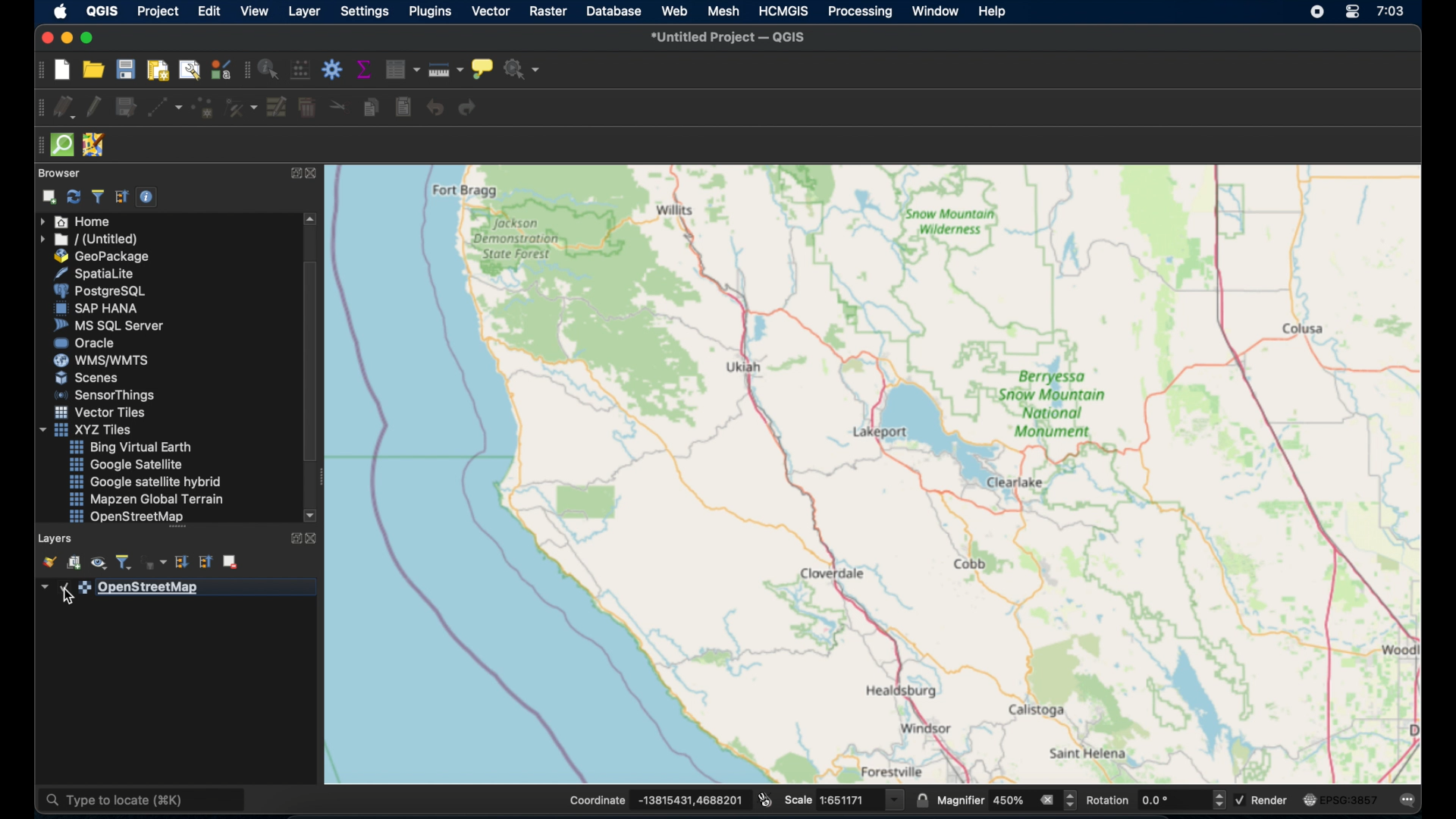 The image size is (1456, 819). Describe the element at coordinates (98, 563) in the screenshot. I see `manage map theme` at that location.